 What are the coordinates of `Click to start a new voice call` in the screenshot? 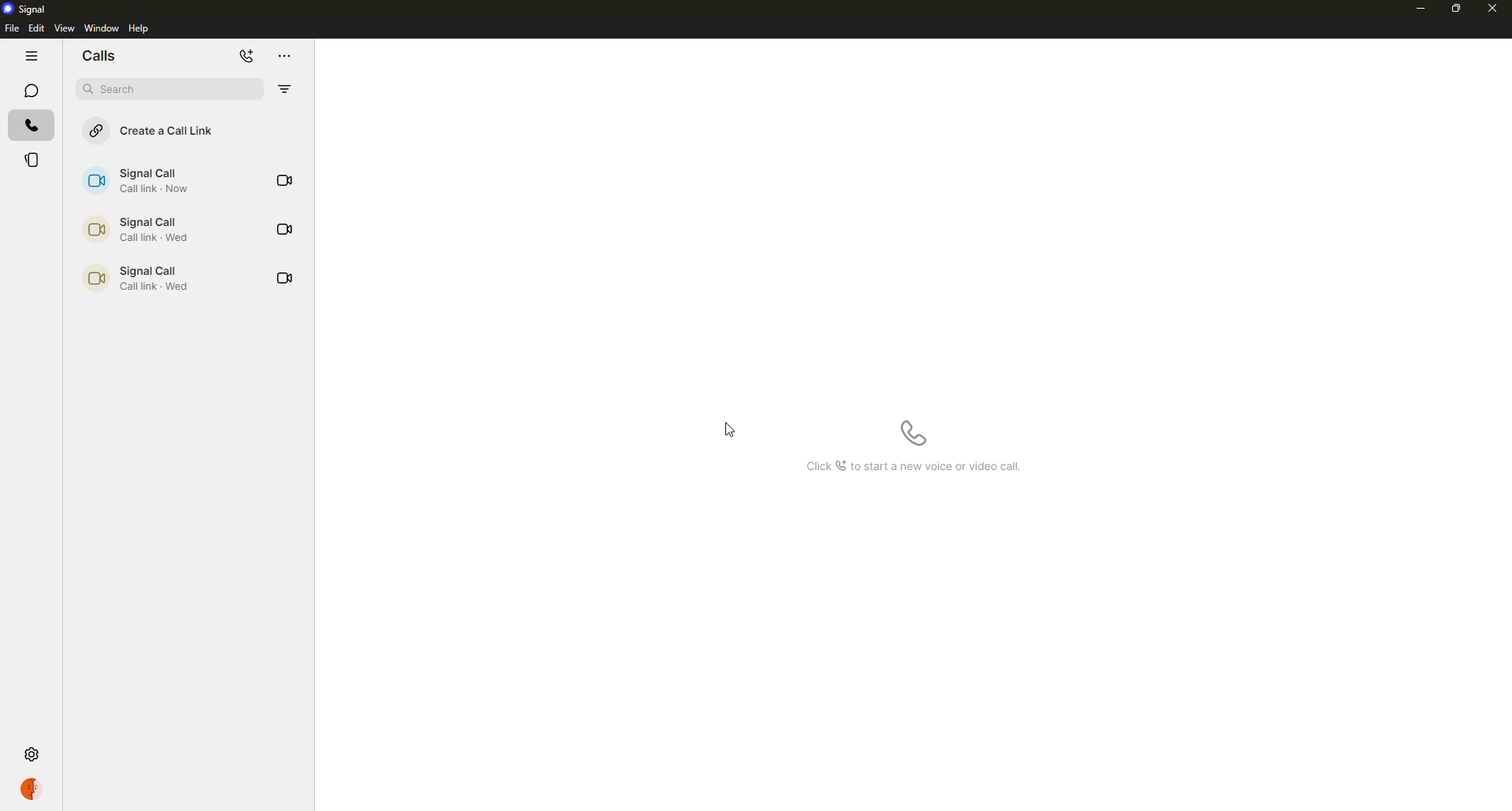 It's located at (913, 465).